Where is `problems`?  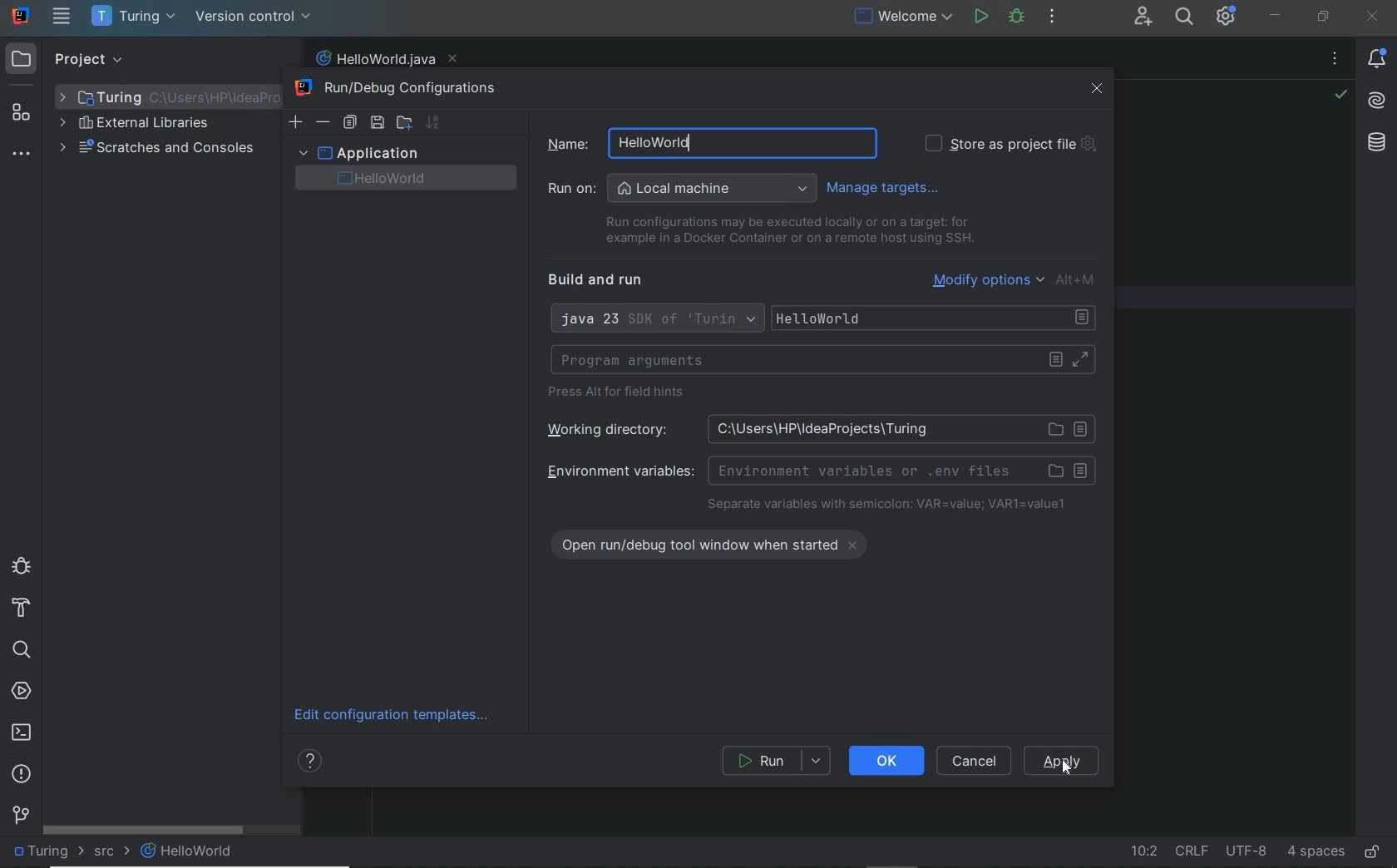 problems is located at coordinates (22, 775).